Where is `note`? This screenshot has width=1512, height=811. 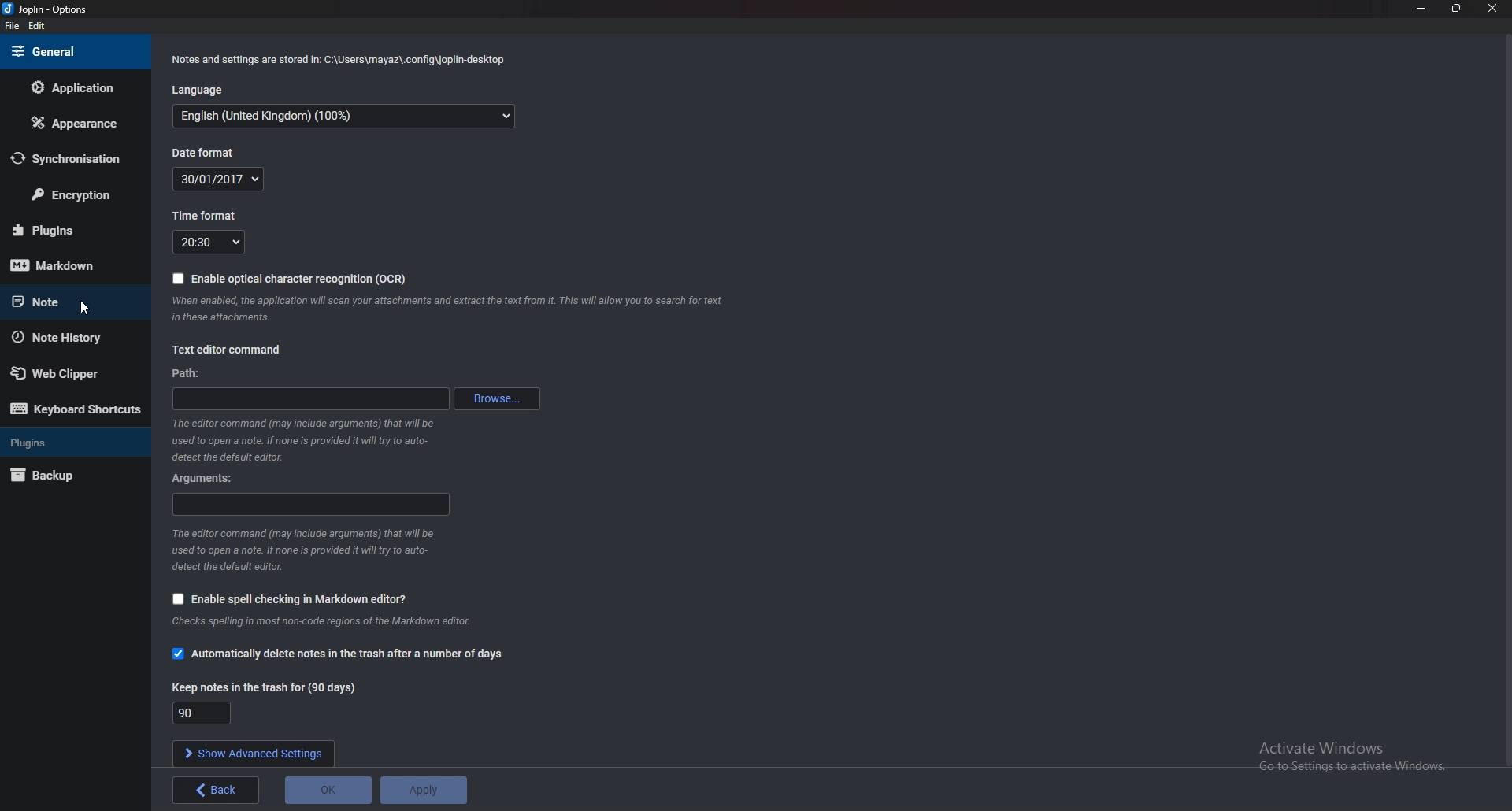 note is located at coordinates (64, 302).